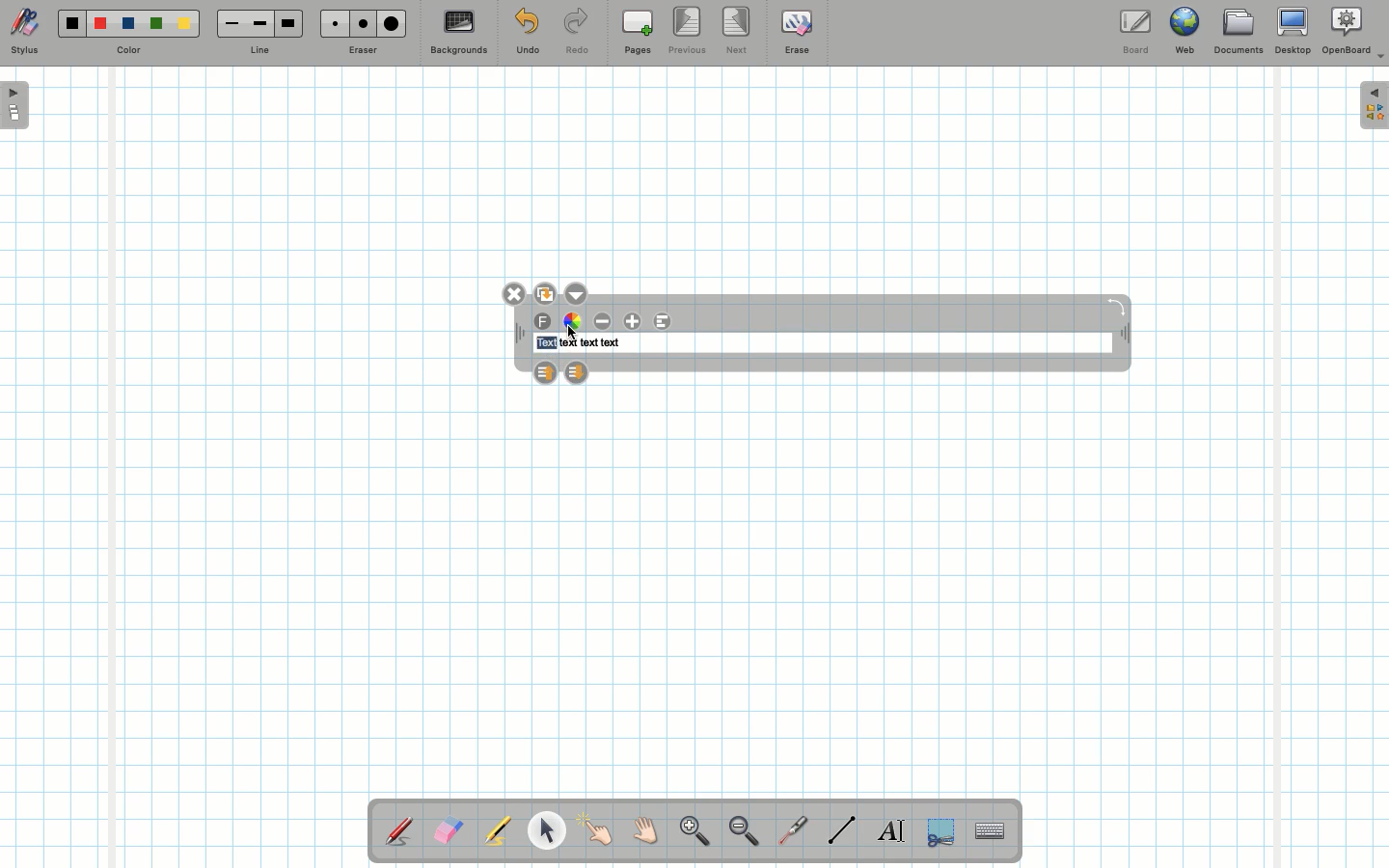 This screenshot has height=868, width=1389. I want to click on Text input, so click(991, 826).